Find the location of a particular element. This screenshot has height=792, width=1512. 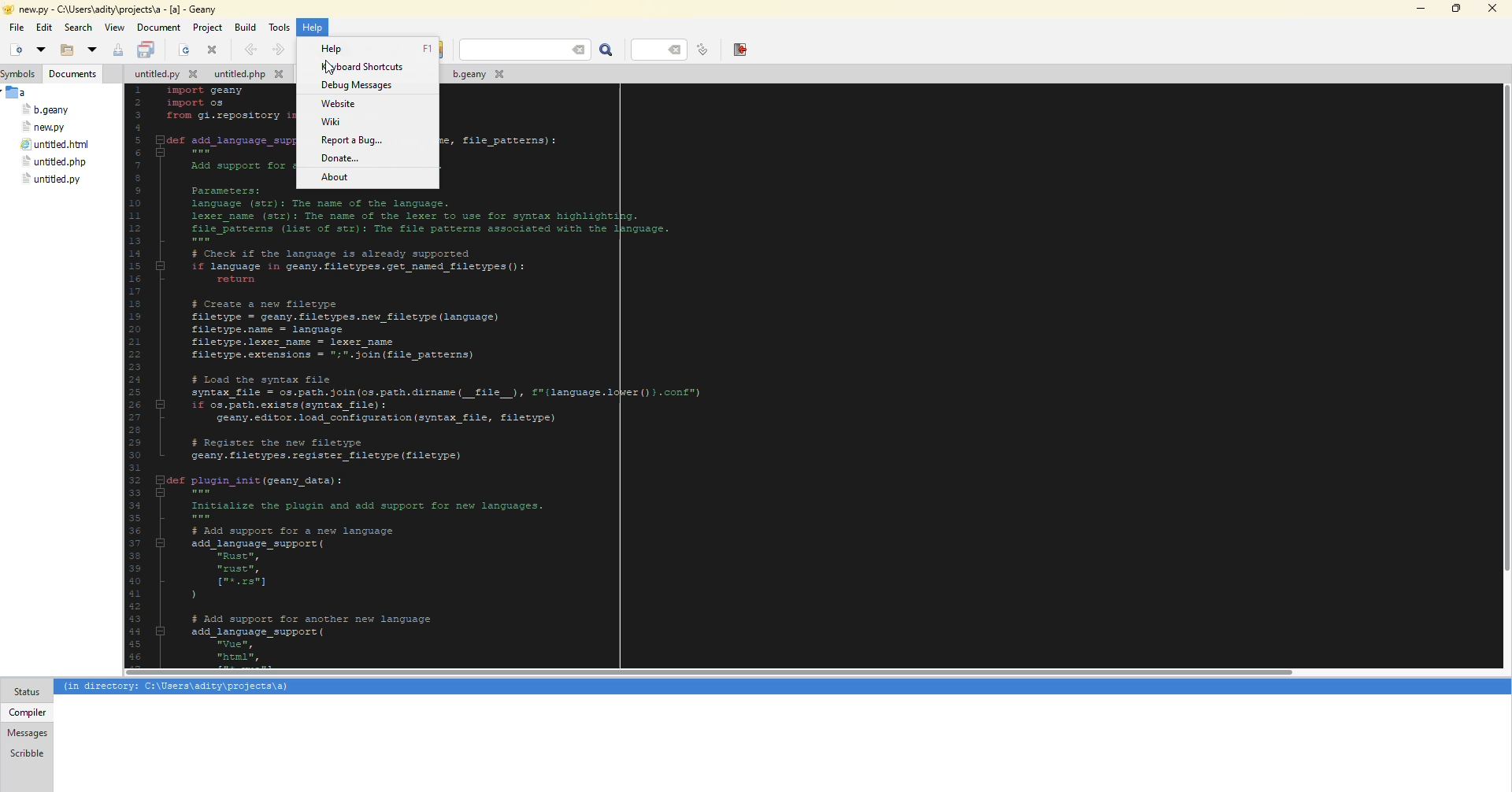

file is located at coordinates (476, 76).